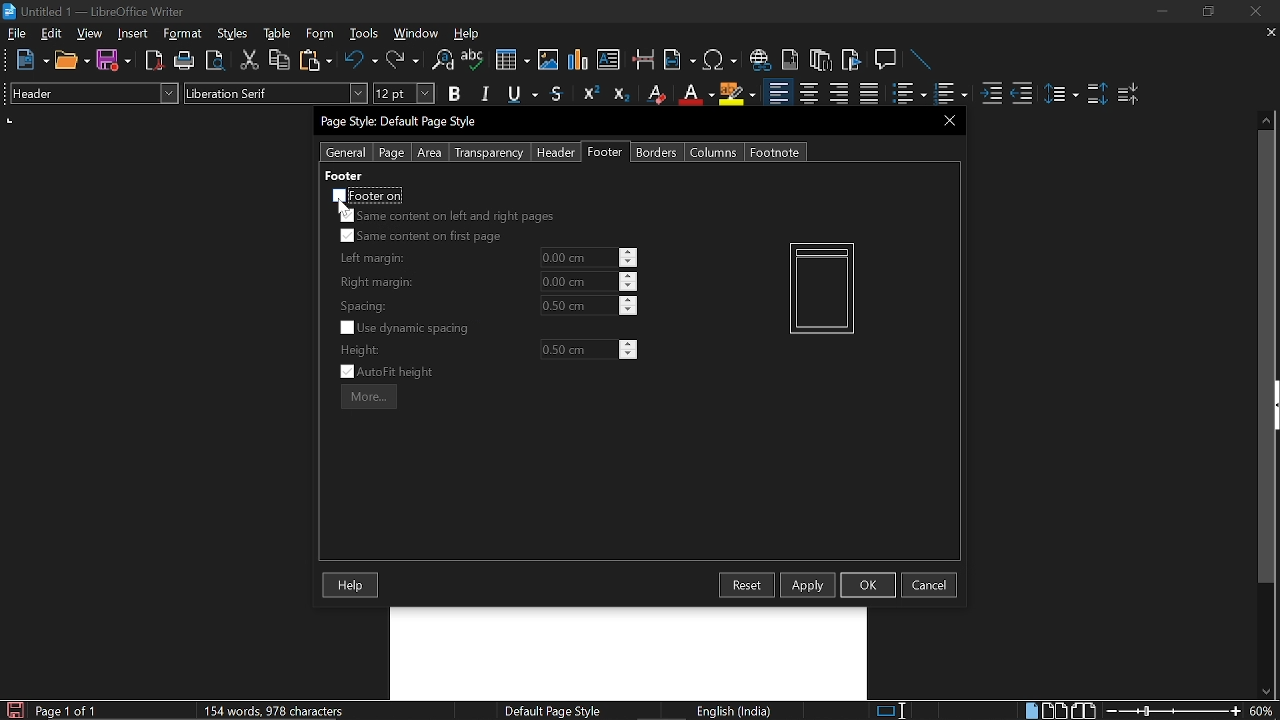  What do you see at coordinates (557, 93) in the screenshot?
I see `Strike through` at bounding box center [557, 93].